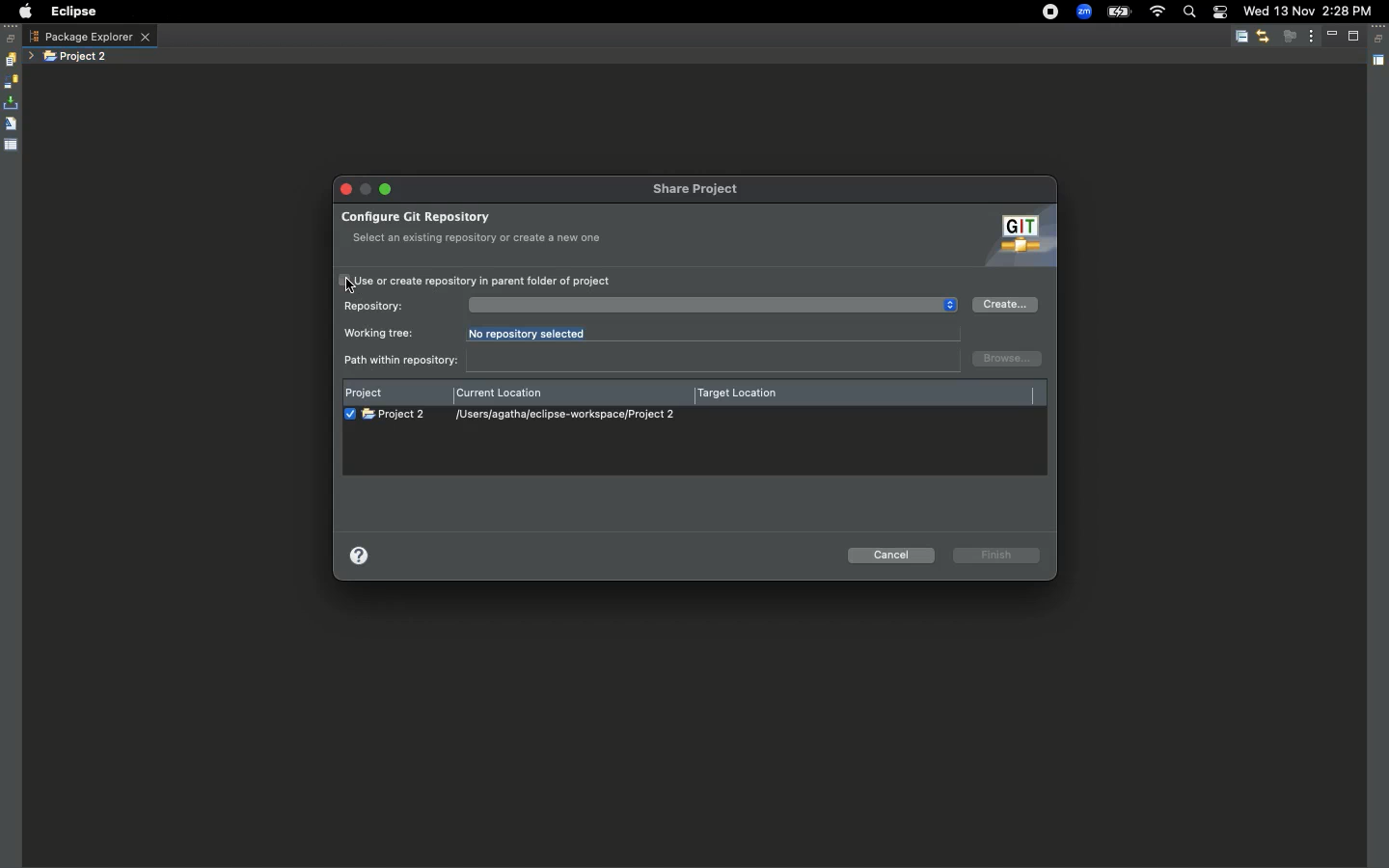 This screenshot has height=868, width=1389. Describe the element at coordinates (1335, 36) in the screenshot. I see `Minimize` at that location.